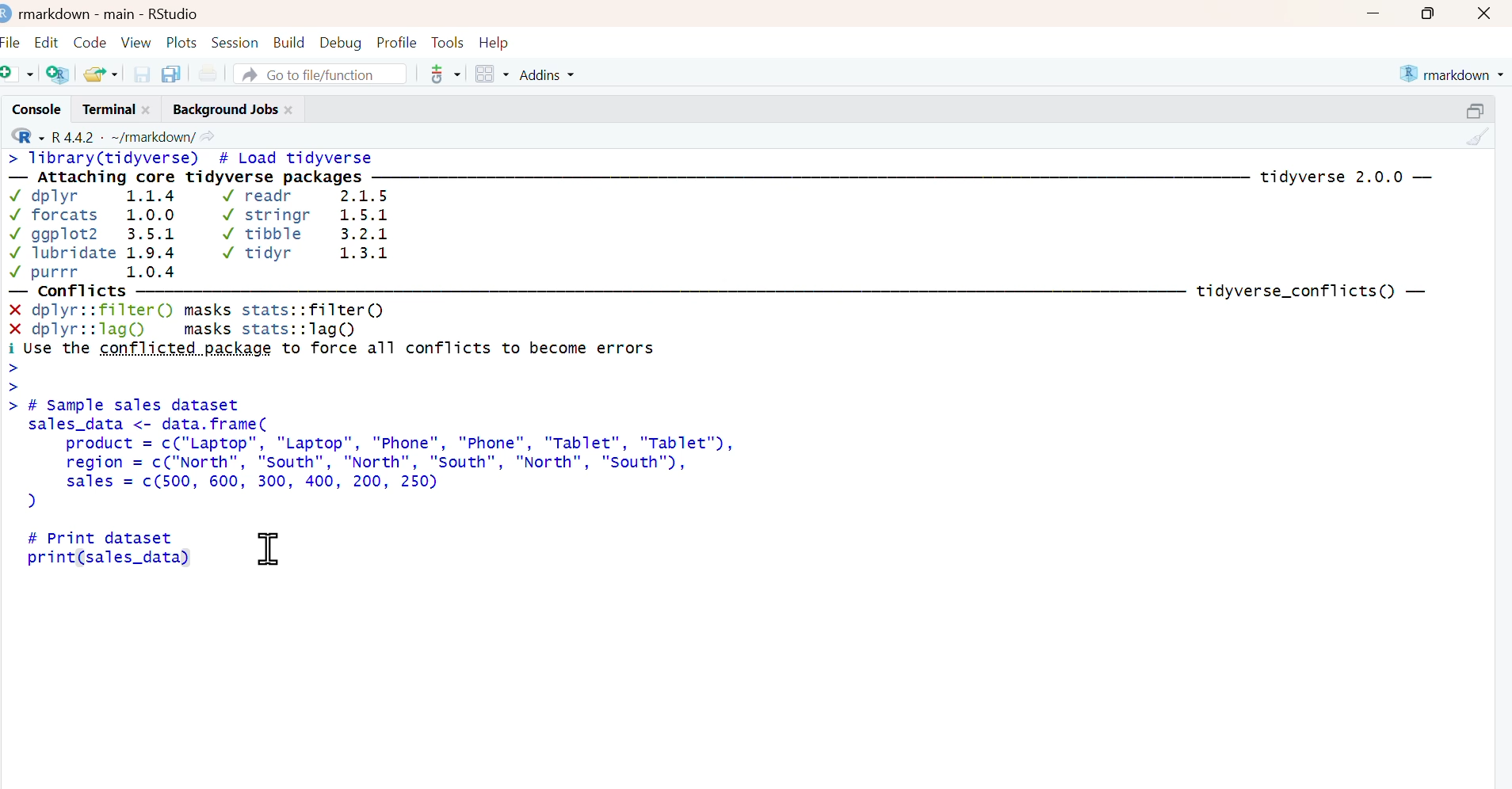 Image resolution: width=1512 pixels, height=789 pixels. What do you see at coordinates (236, 40) in the screenshot?
I see `Session` at bounding box center [236, 40].